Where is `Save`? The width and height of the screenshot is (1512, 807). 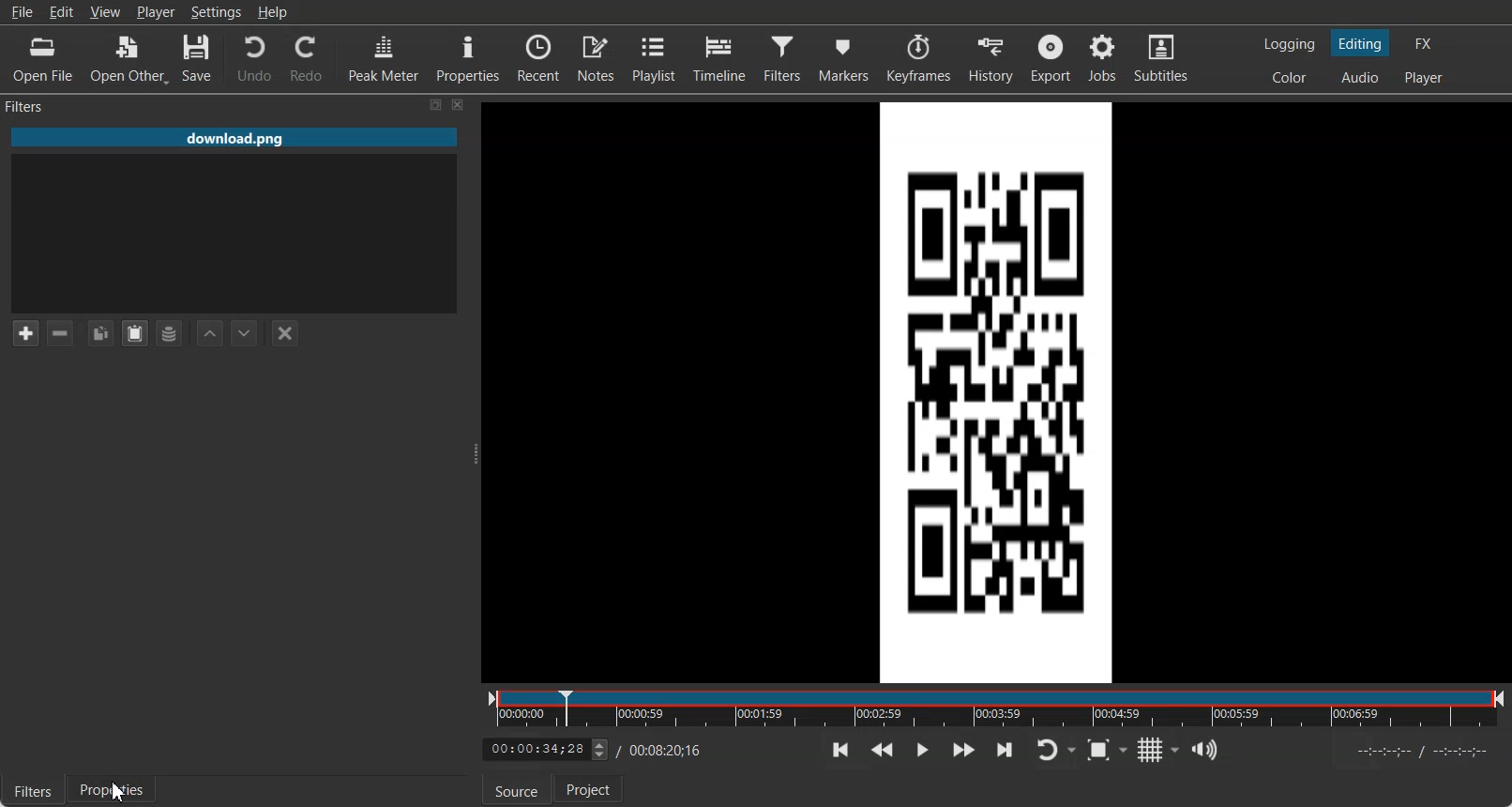 Save is located at coordinates (200, 58).